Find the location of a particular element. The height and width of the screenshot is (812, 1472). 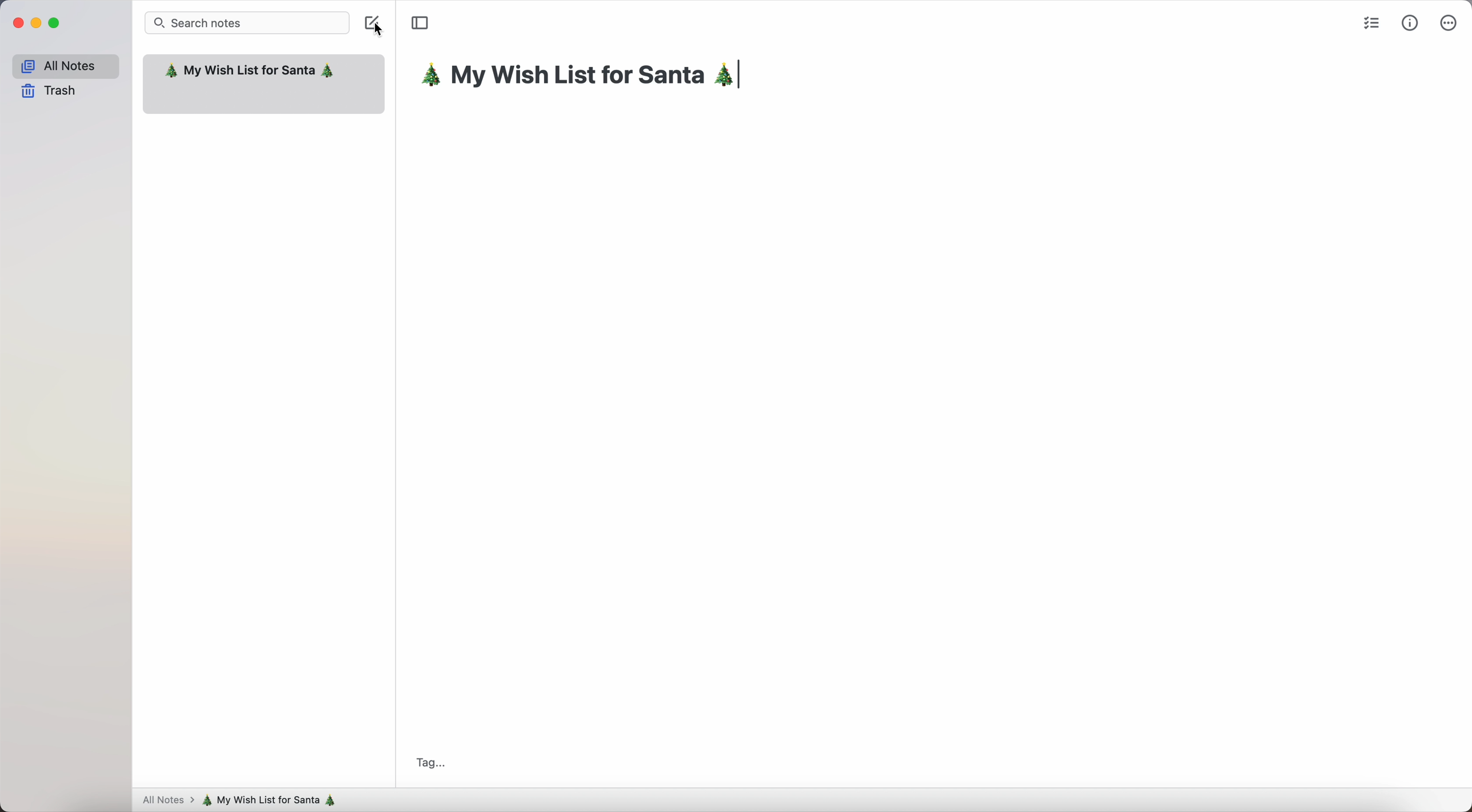

My wish list for Santa is located at coordinates (250, 72).